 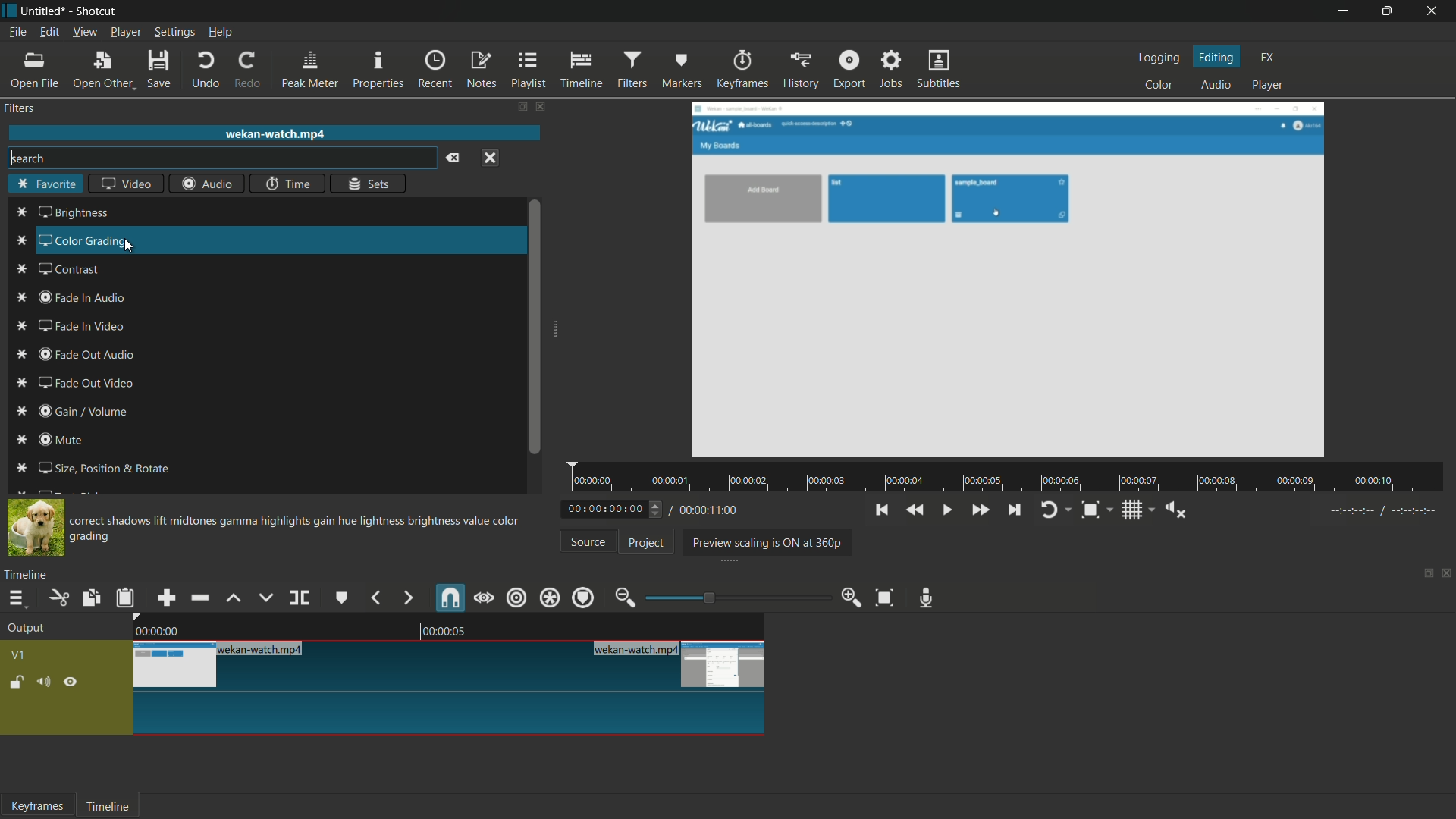 I want to click on timeline, so click(x=582, y=71).